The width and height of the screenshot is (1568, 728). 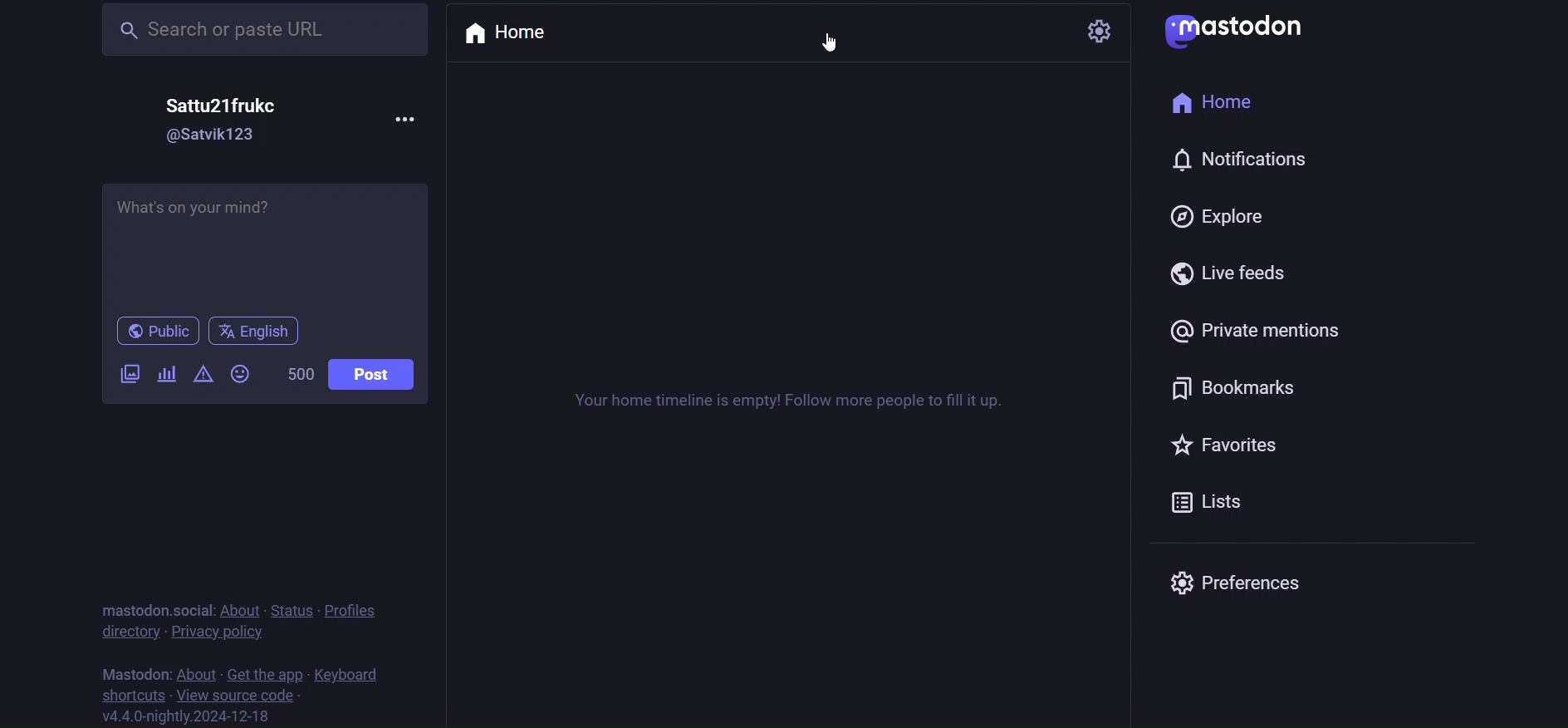 I want to click on directory, so click(x=125, y=631).